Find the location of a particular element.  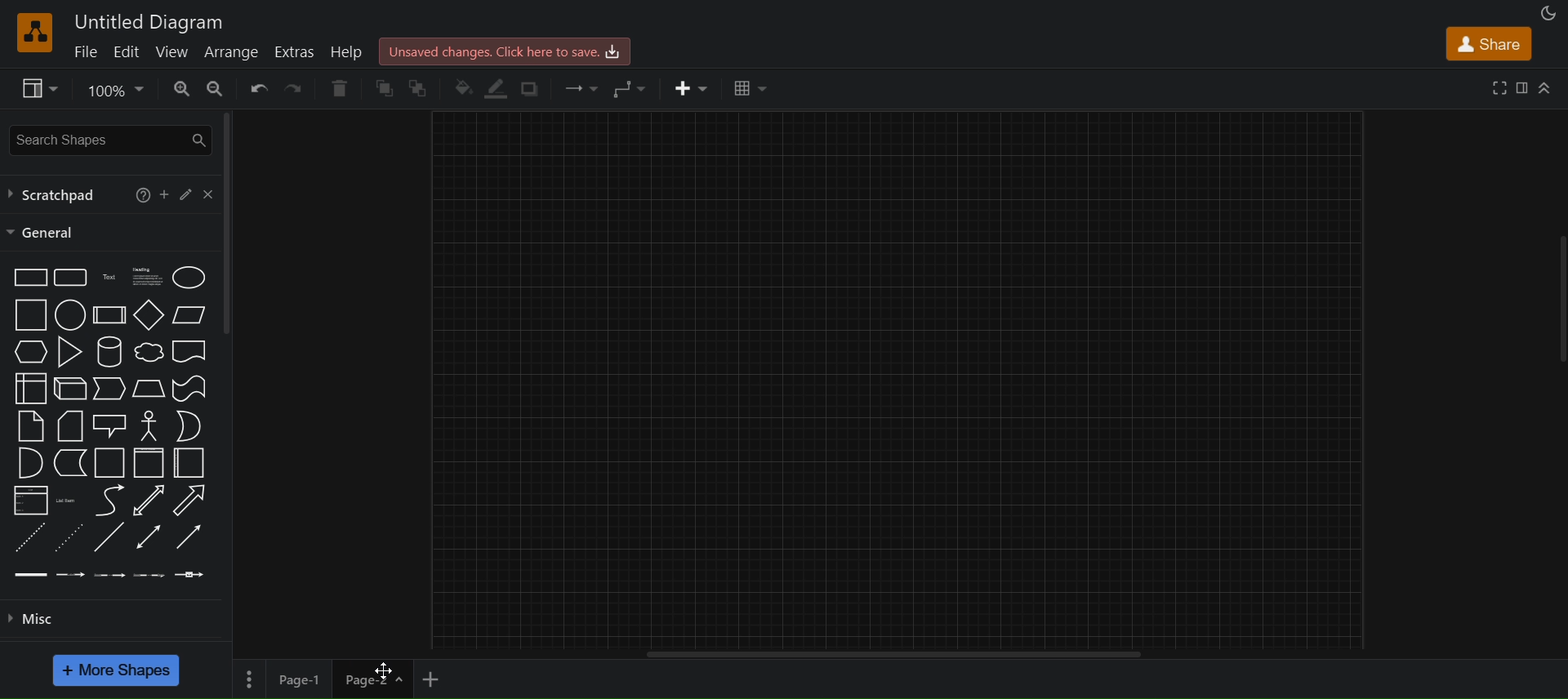

undo is located at coordinates (255, 88).